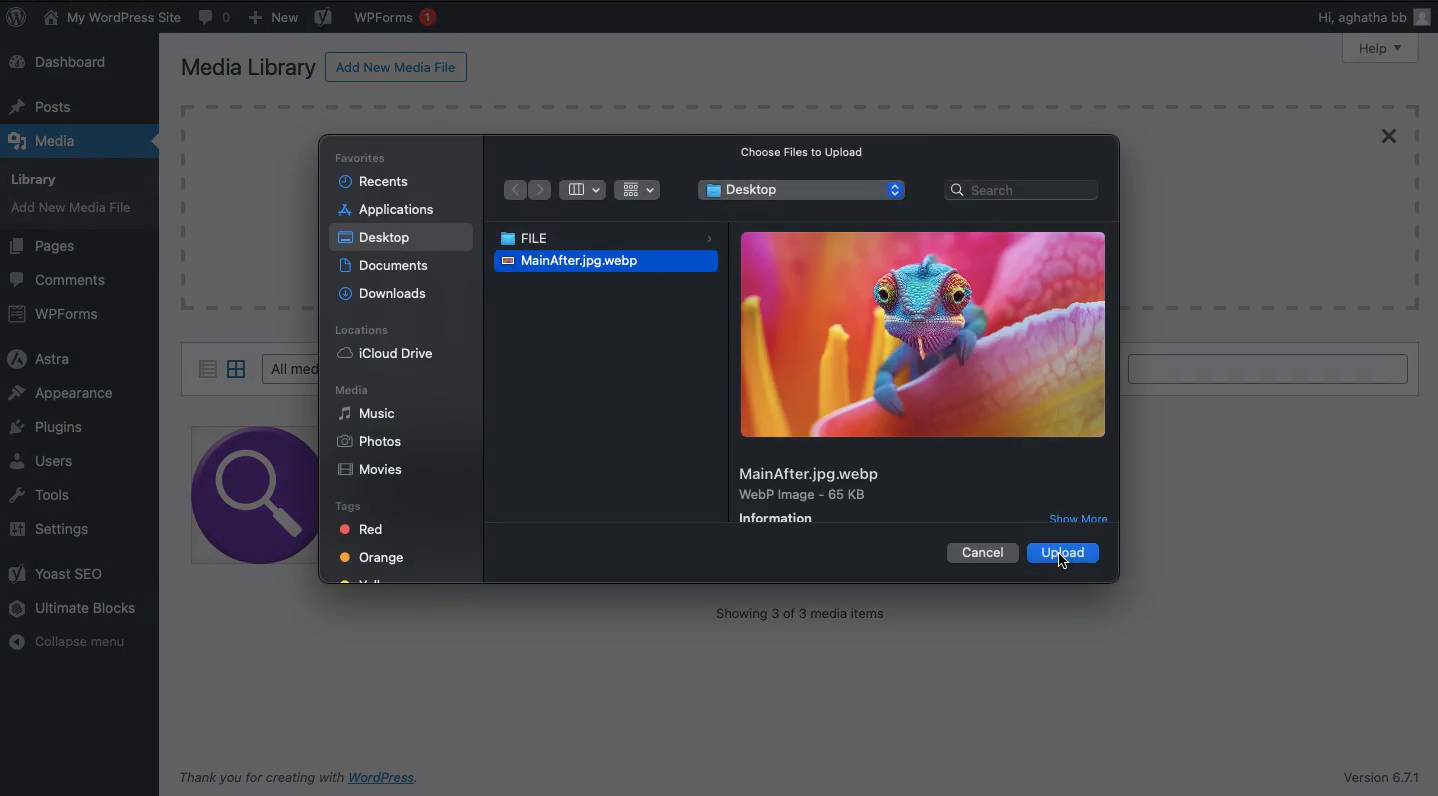  Describe the element at coordinates (610, 238) in the screenshot. I see `File` at that location.